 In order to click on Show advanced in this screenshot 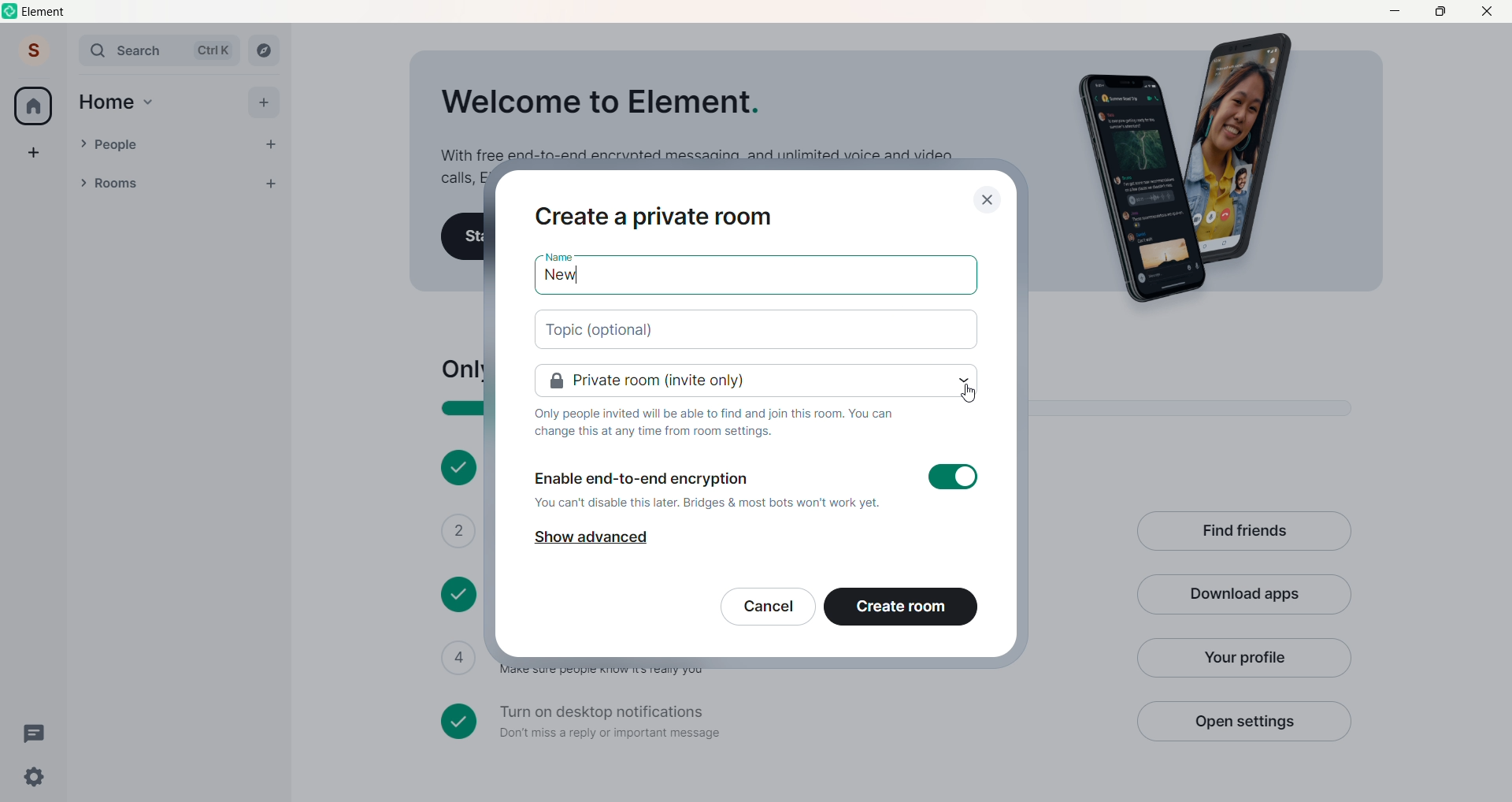, I will do `click(590, 538)`.